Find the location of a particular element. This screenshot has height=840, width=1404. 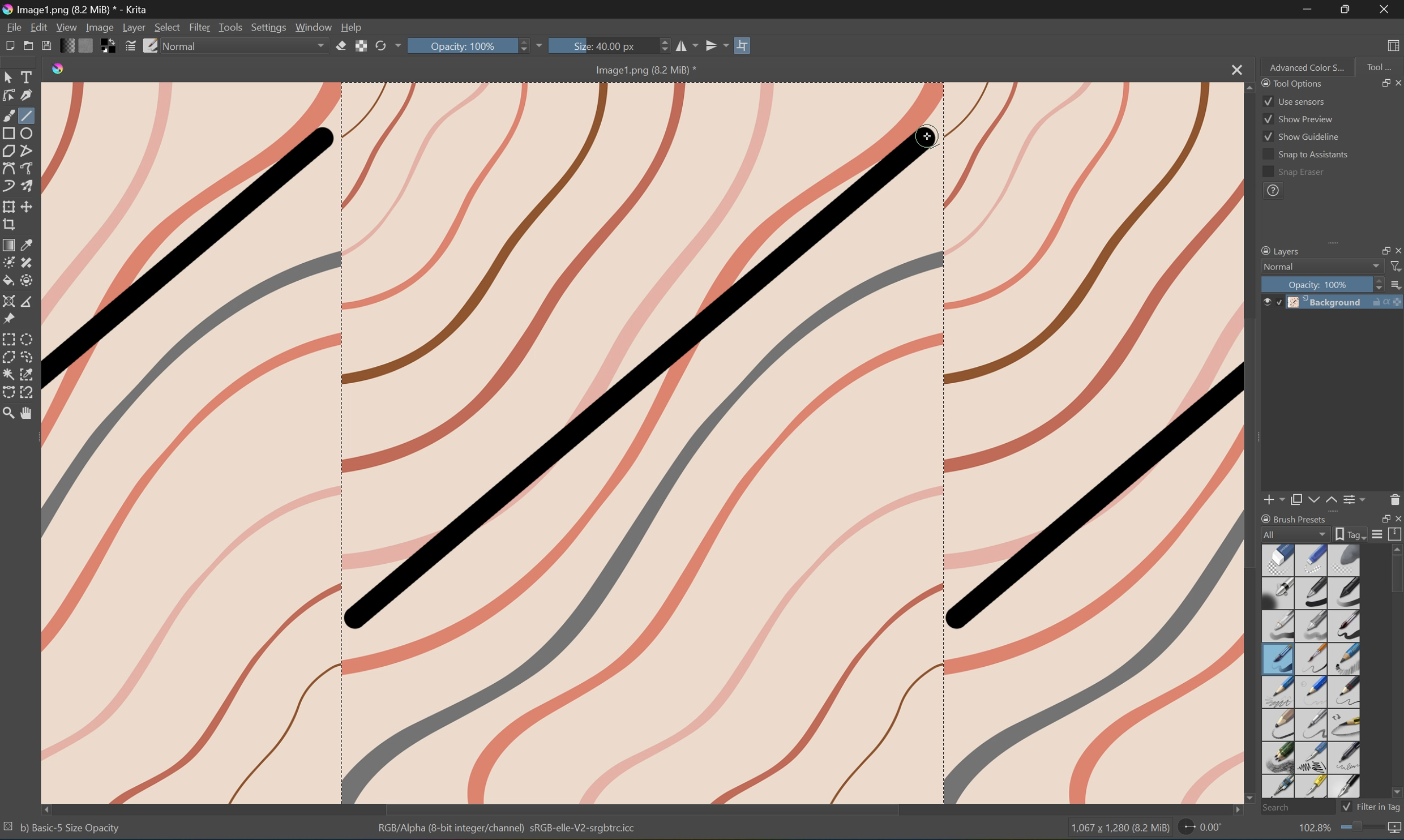

Freehand selection is located at coordinates (29, 357).